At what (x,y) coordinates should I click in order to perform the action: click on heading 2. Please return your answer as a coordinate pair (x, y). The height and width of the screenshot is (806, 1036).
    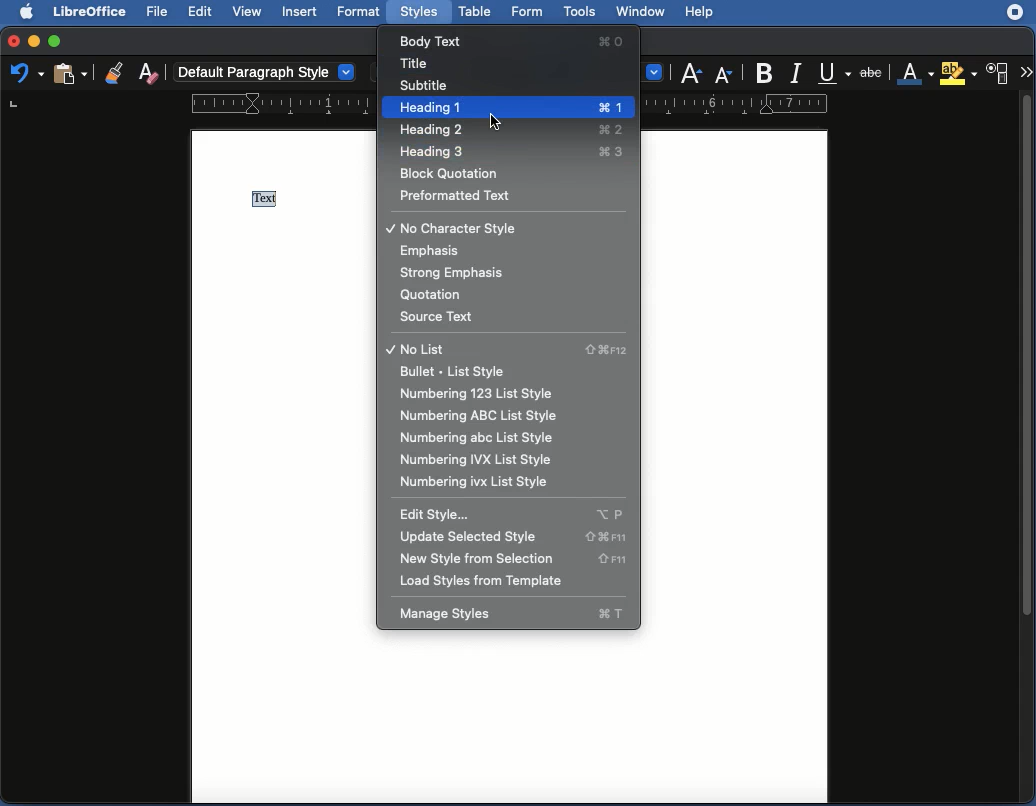
    Looking at the image, I should click on (508, 130).